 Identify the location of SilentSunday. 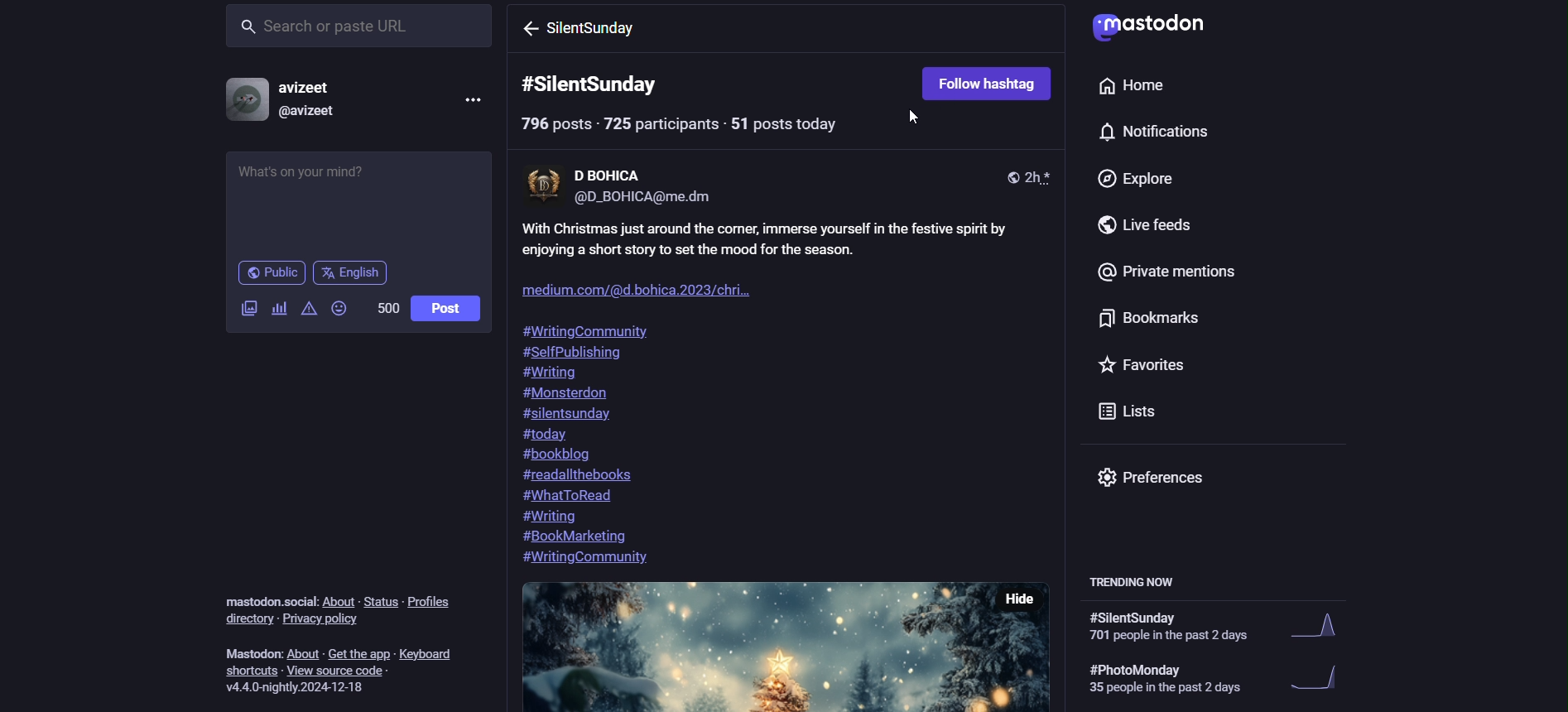
(605, 31).